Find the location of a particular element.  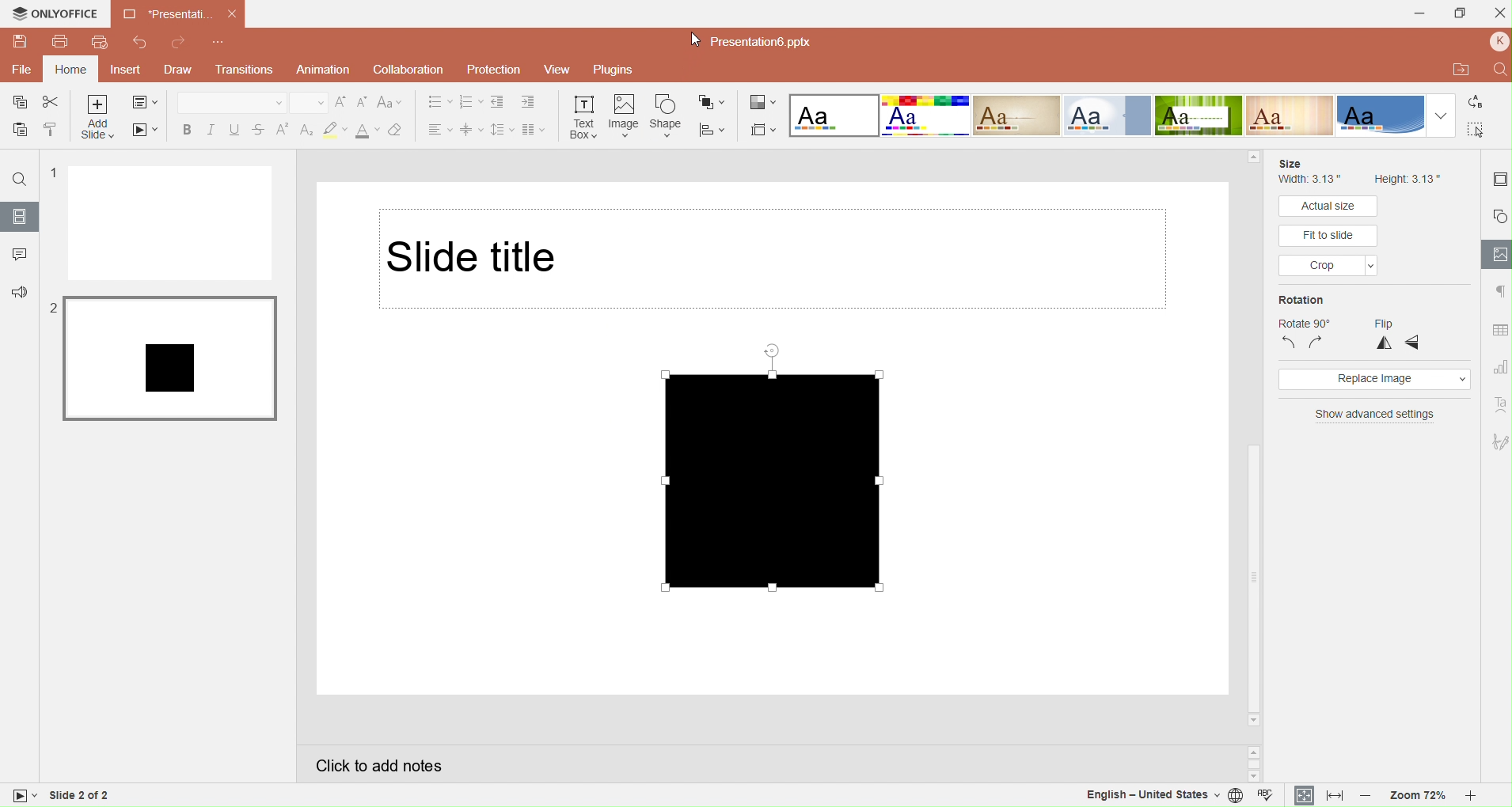

Slide 2 of 2 is located at coordinates (114, 795).